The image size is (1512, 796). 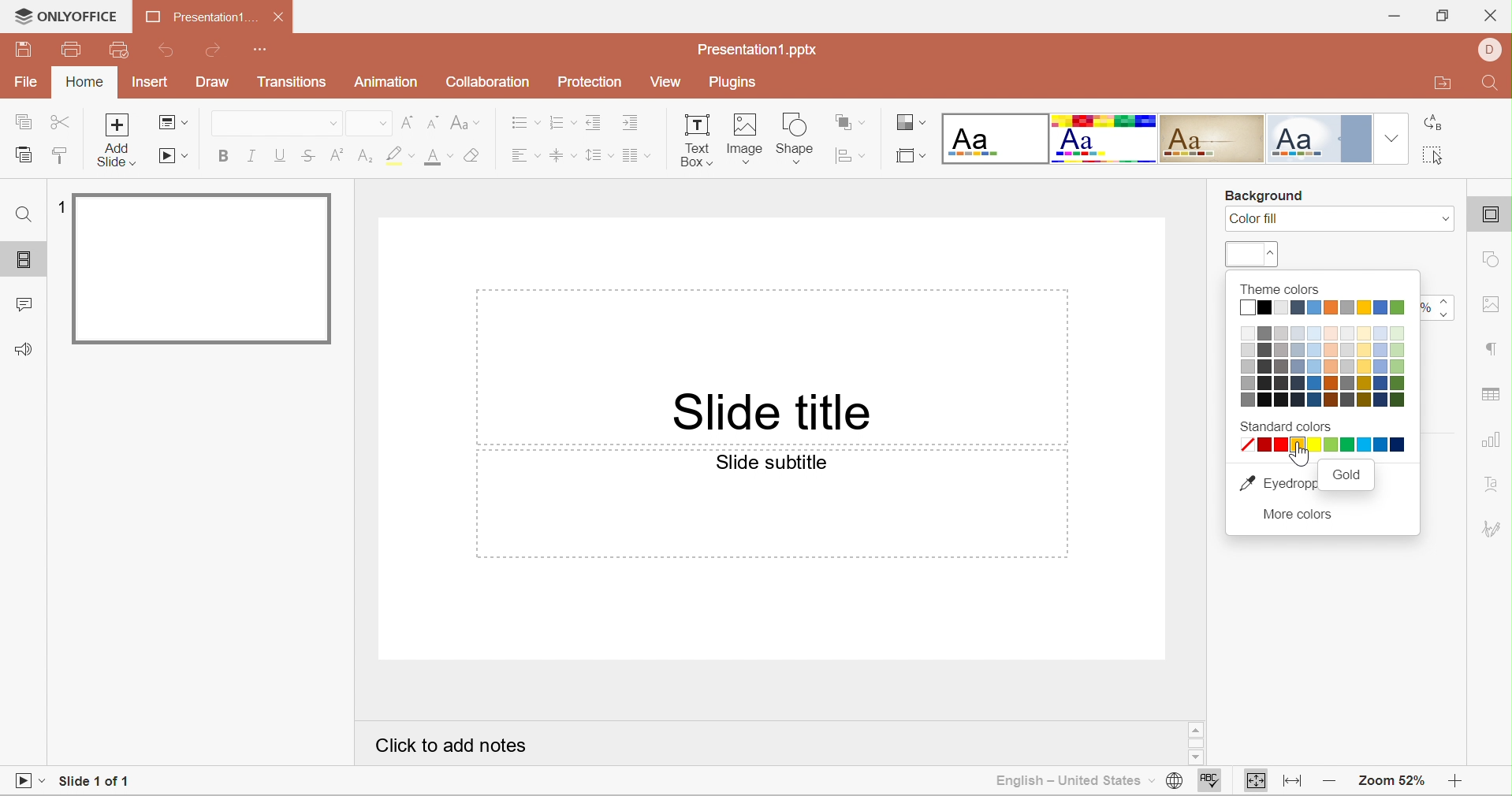 What do you see at coordinates (29, 779) in the screenshot?
I see `Start Slideshow` at bounding box center [29, 779].